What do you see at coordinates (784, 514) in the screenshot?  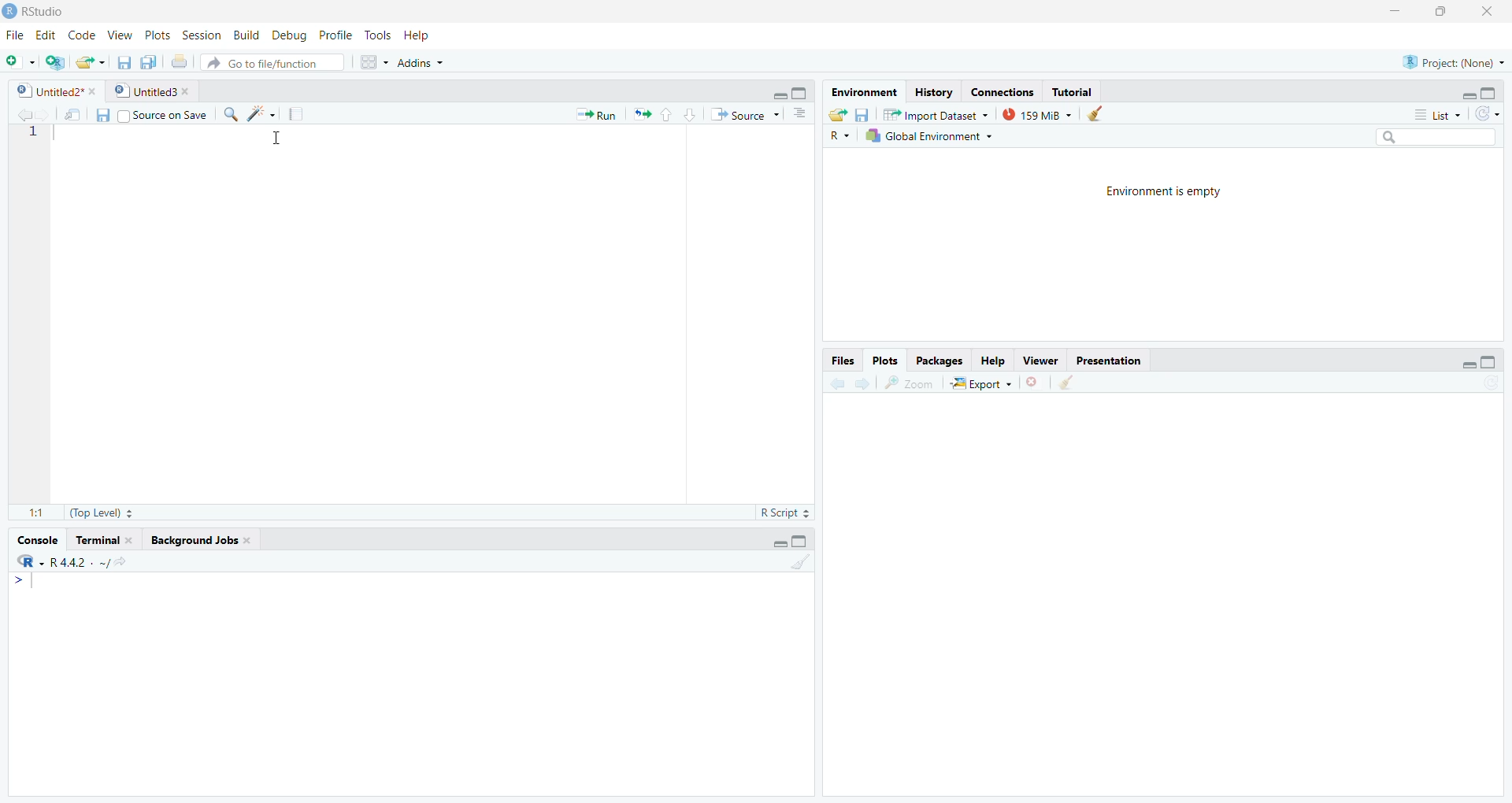 I see `R Script ` at bounding box center [784, 514].